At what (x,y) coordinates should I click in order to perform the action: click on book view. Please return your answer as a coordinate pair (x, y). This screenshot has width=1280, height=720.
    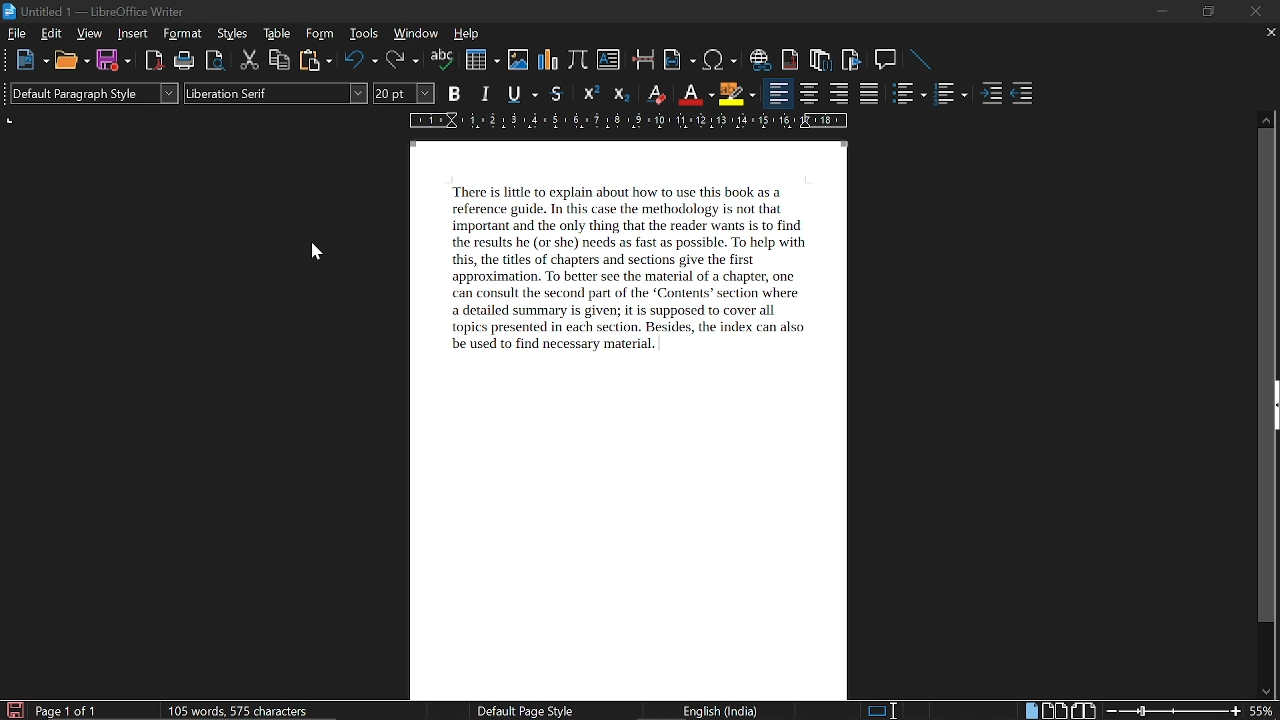
    Looking at the image, I should click on (1083, 711).